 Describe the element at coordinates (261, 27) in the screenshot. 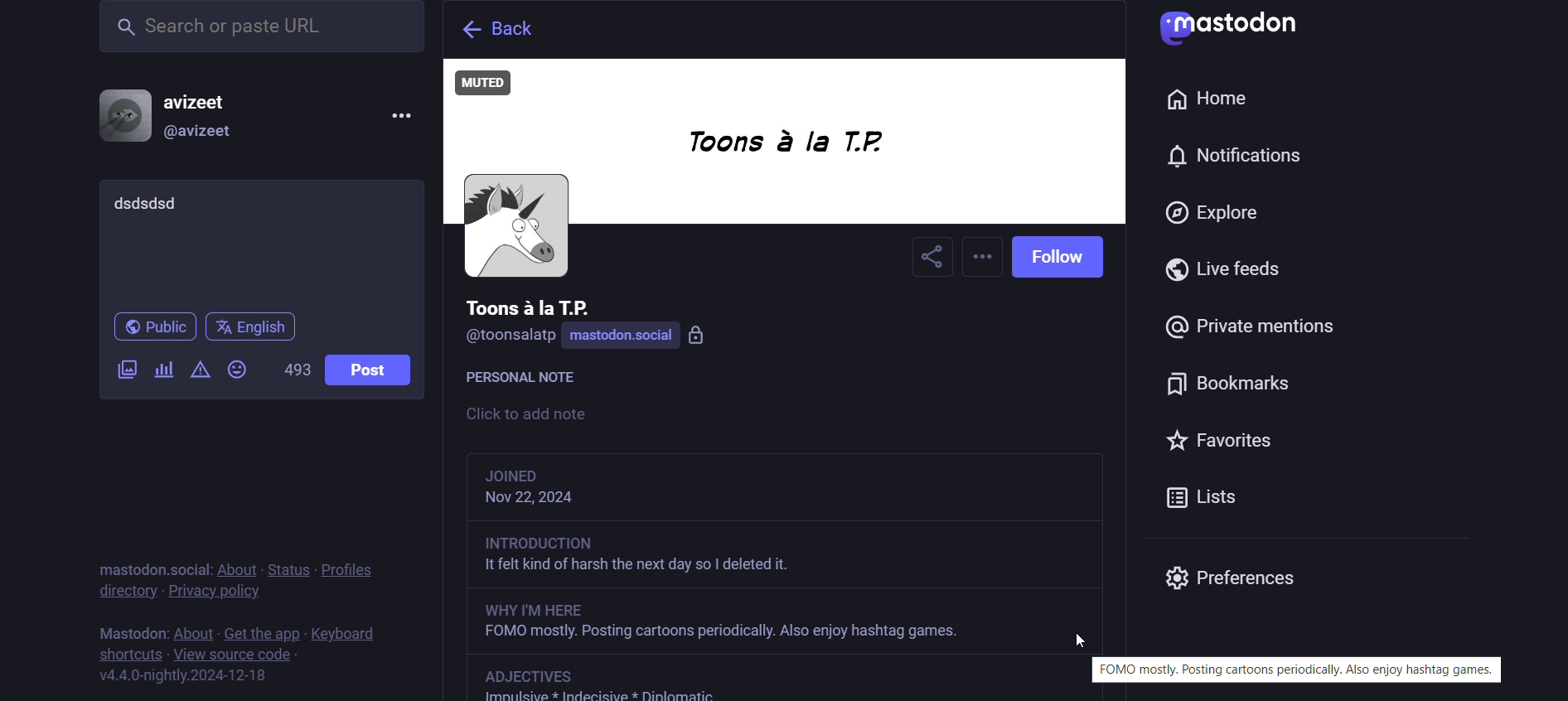

I see `search` at that location.